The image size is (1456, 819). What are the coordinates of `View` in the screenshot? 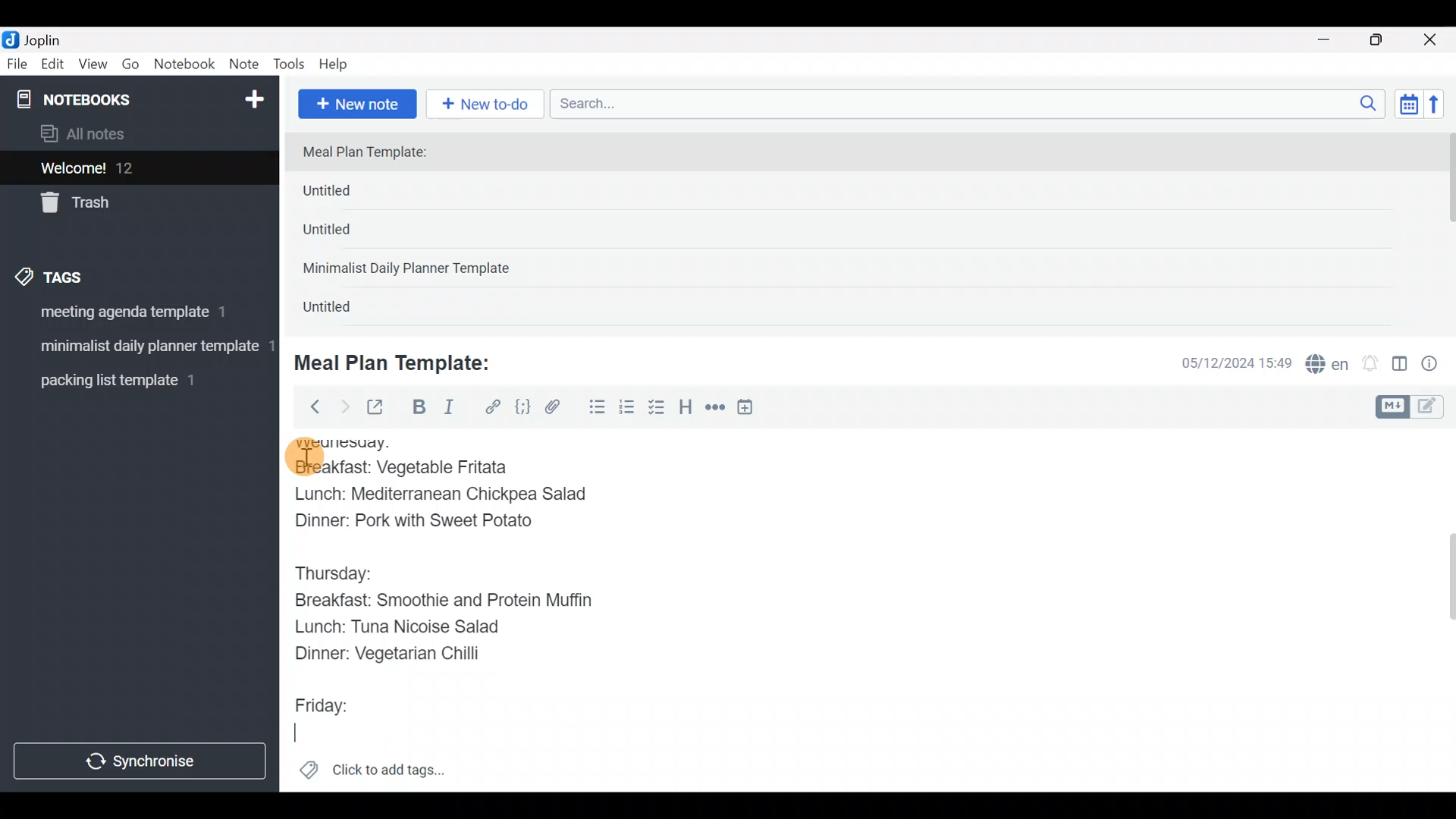 It's located at (93, 67).